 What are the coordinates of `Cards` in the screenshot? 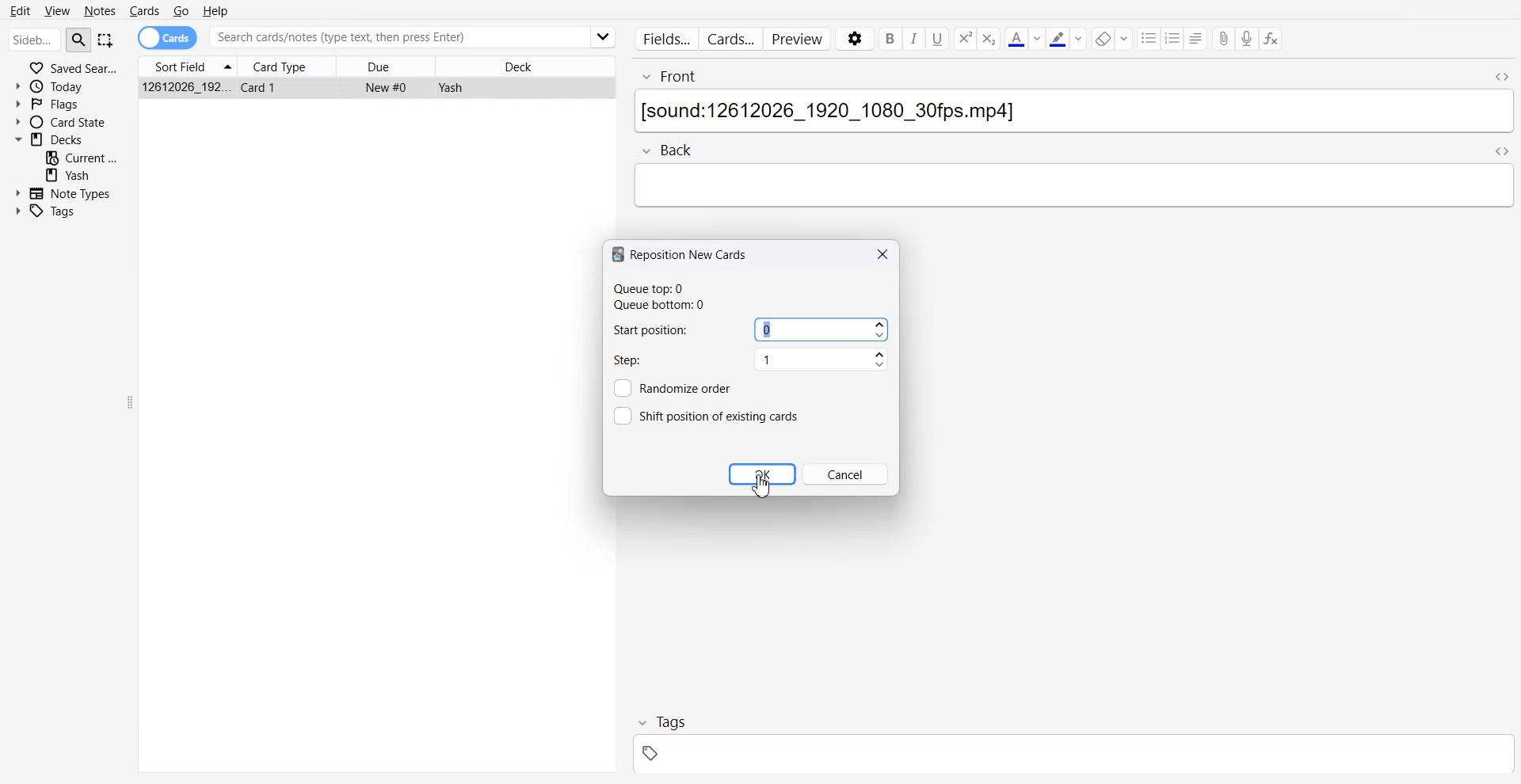 It's located at (145, 10).